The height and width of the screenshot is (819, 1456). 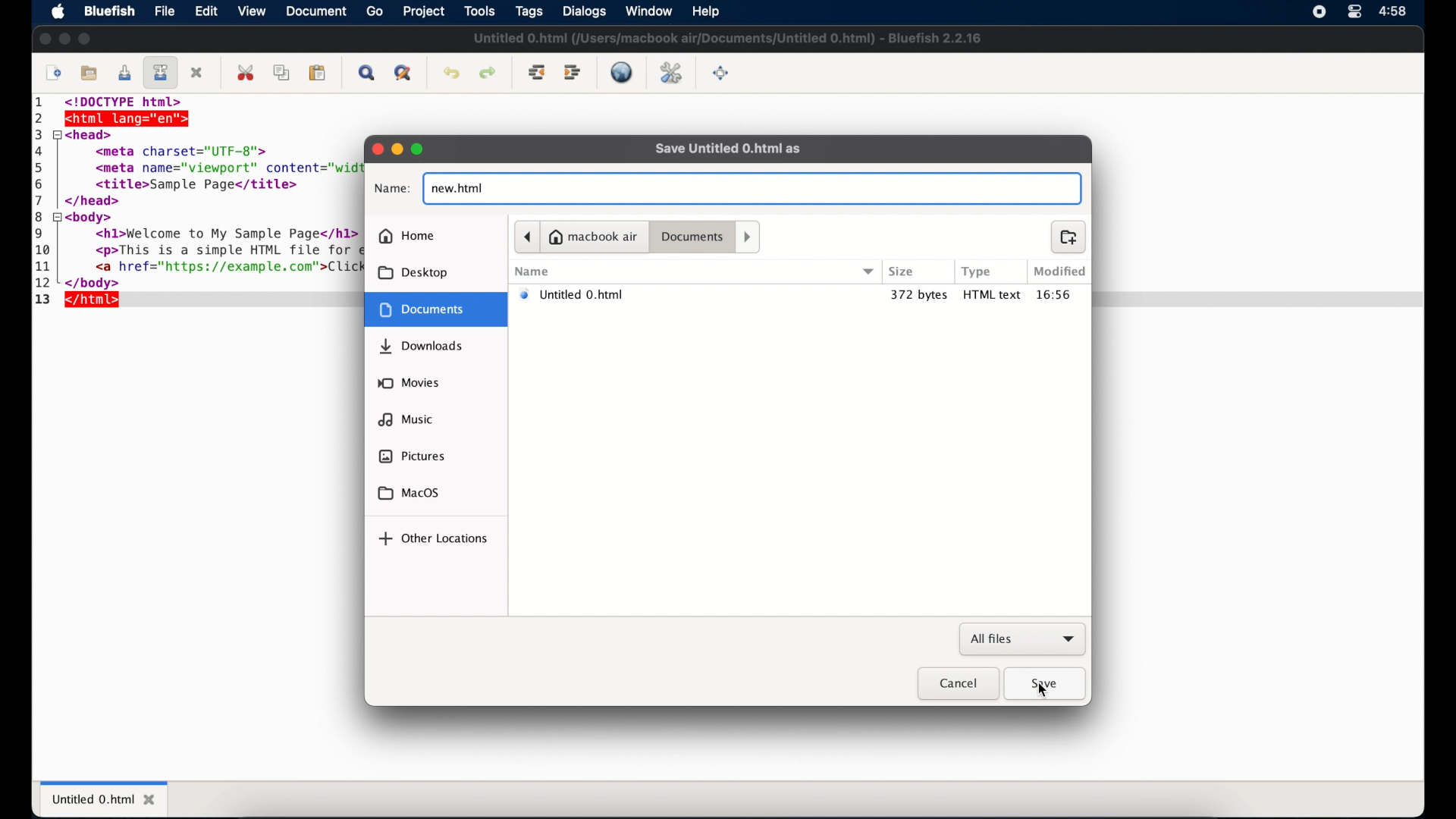 What do you see at coordinates (392, 190) in the screenshot?
I see `name:` at bounding box center [392, 190].